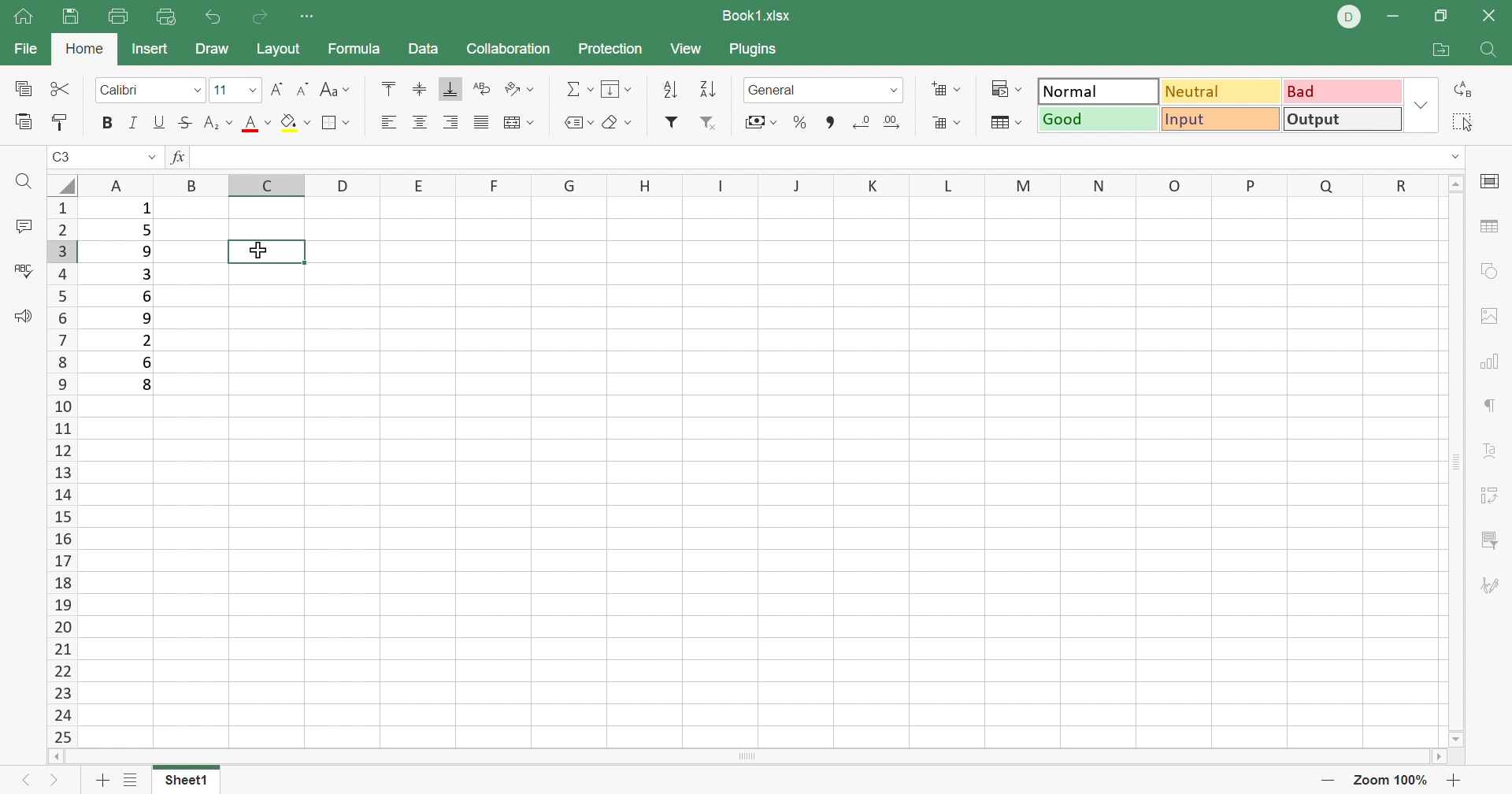 This screenshot has height=794, width=1512. Describe the element at coordinates (1492, 183) in the screenshot. I see `cell settings` at that location.